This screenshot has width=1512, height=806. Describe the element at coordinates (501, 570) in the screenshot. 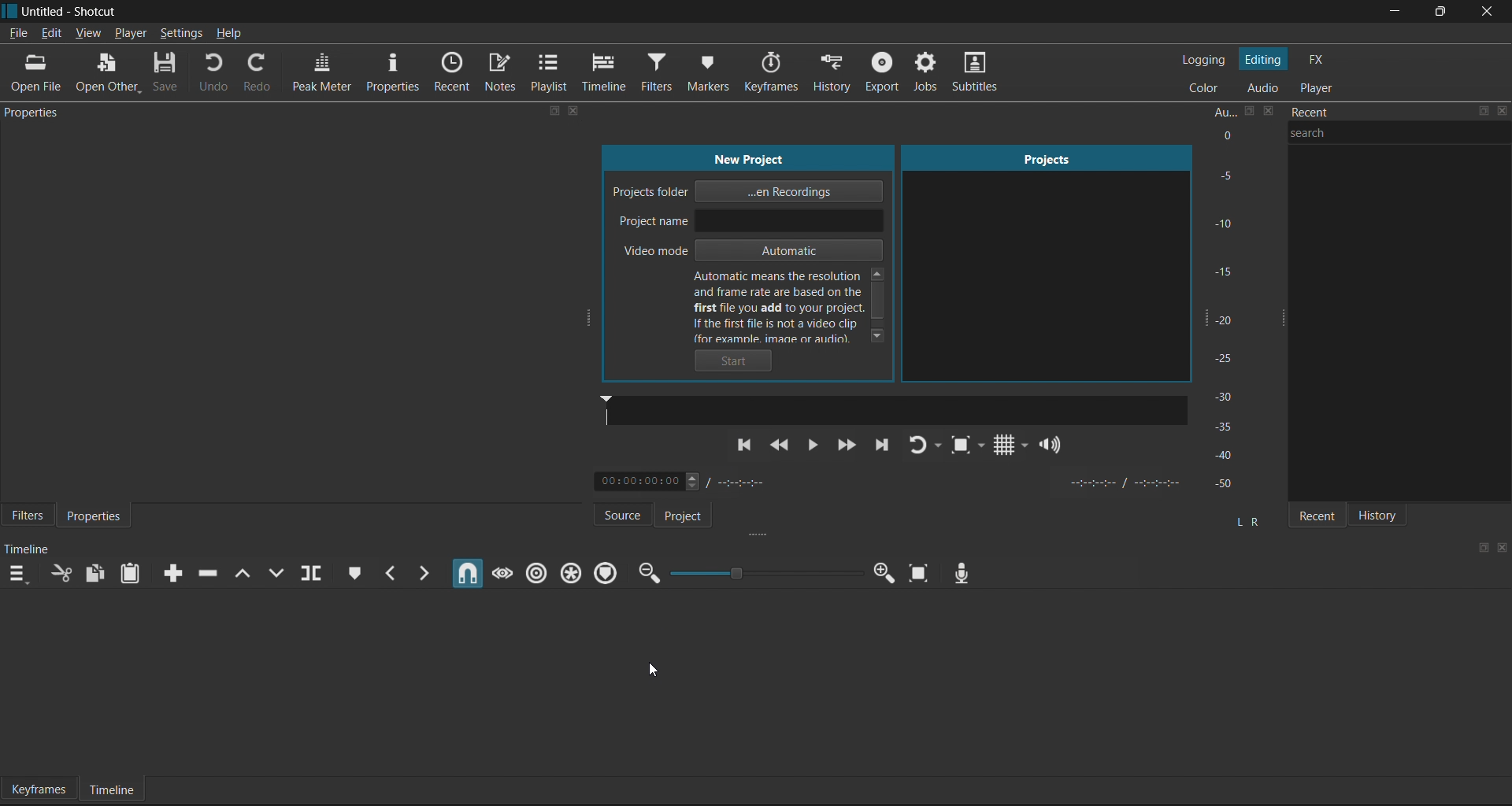

I see `Scrub while dragging` at that location.